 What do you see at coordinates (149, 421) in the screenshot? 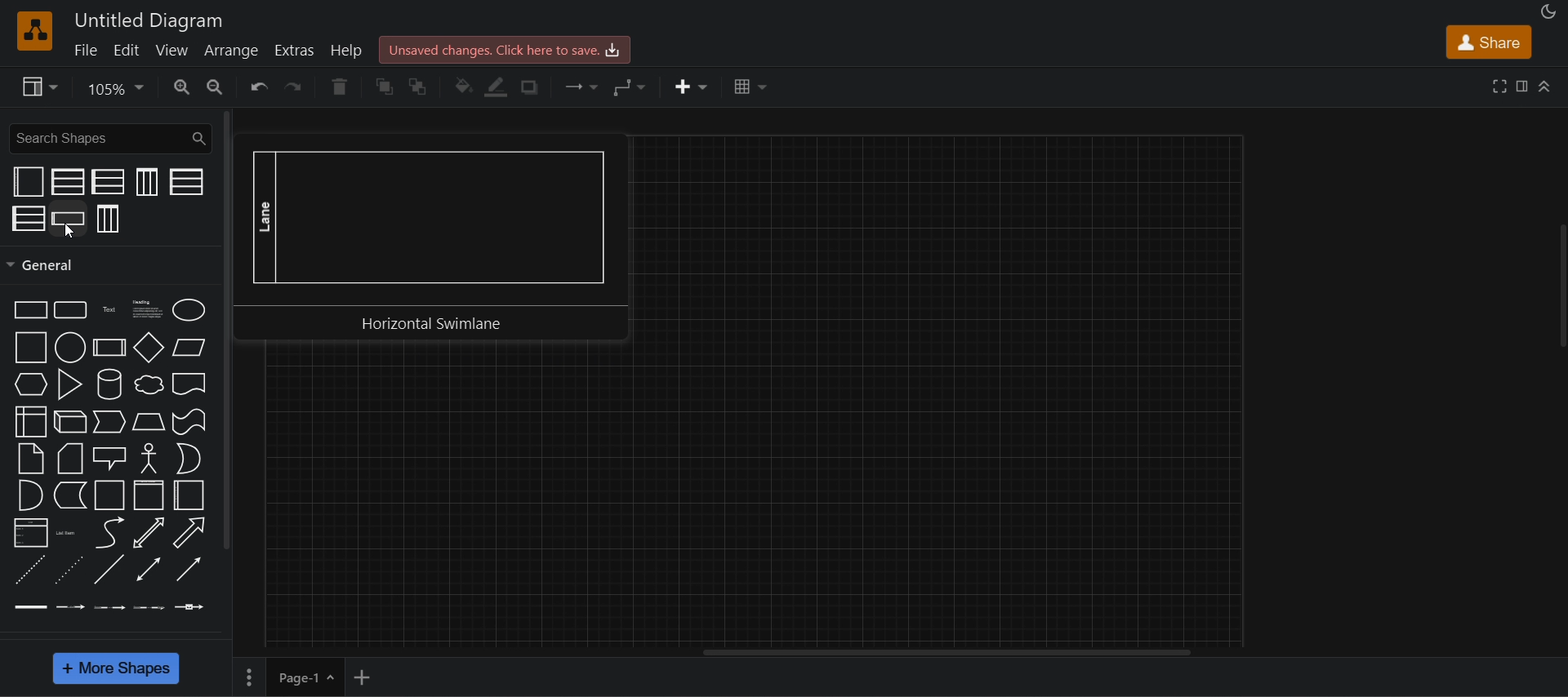
I see `trapezoid` at bounding box center [149, 421].